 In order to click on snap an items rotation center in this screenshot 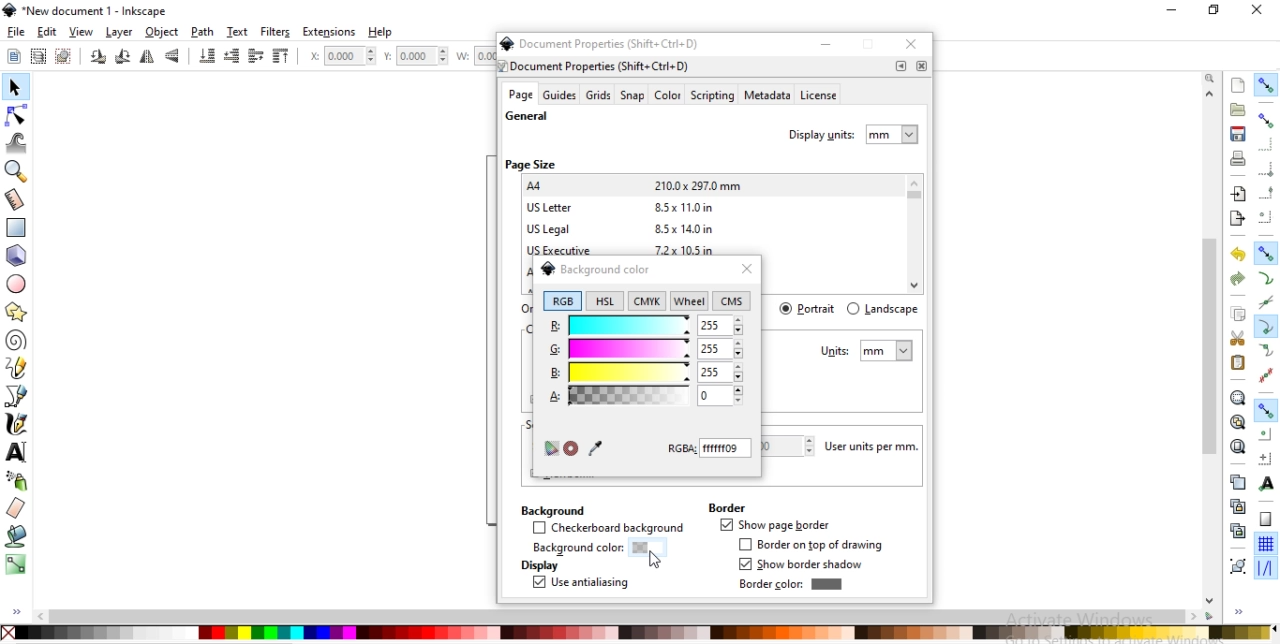, I will do `click(1266, 458)`.